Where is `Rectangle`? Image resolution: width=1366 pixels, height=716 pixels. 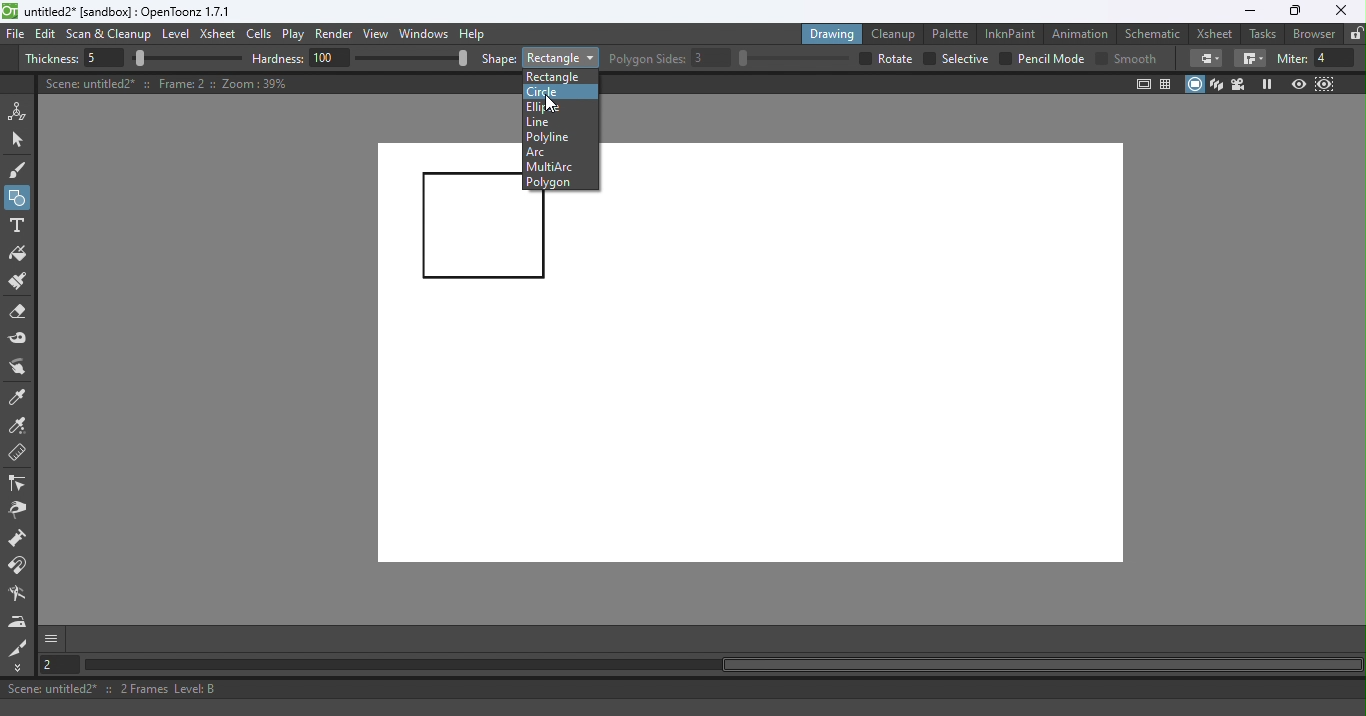
Rectangle is located at coordinates (559, 75).